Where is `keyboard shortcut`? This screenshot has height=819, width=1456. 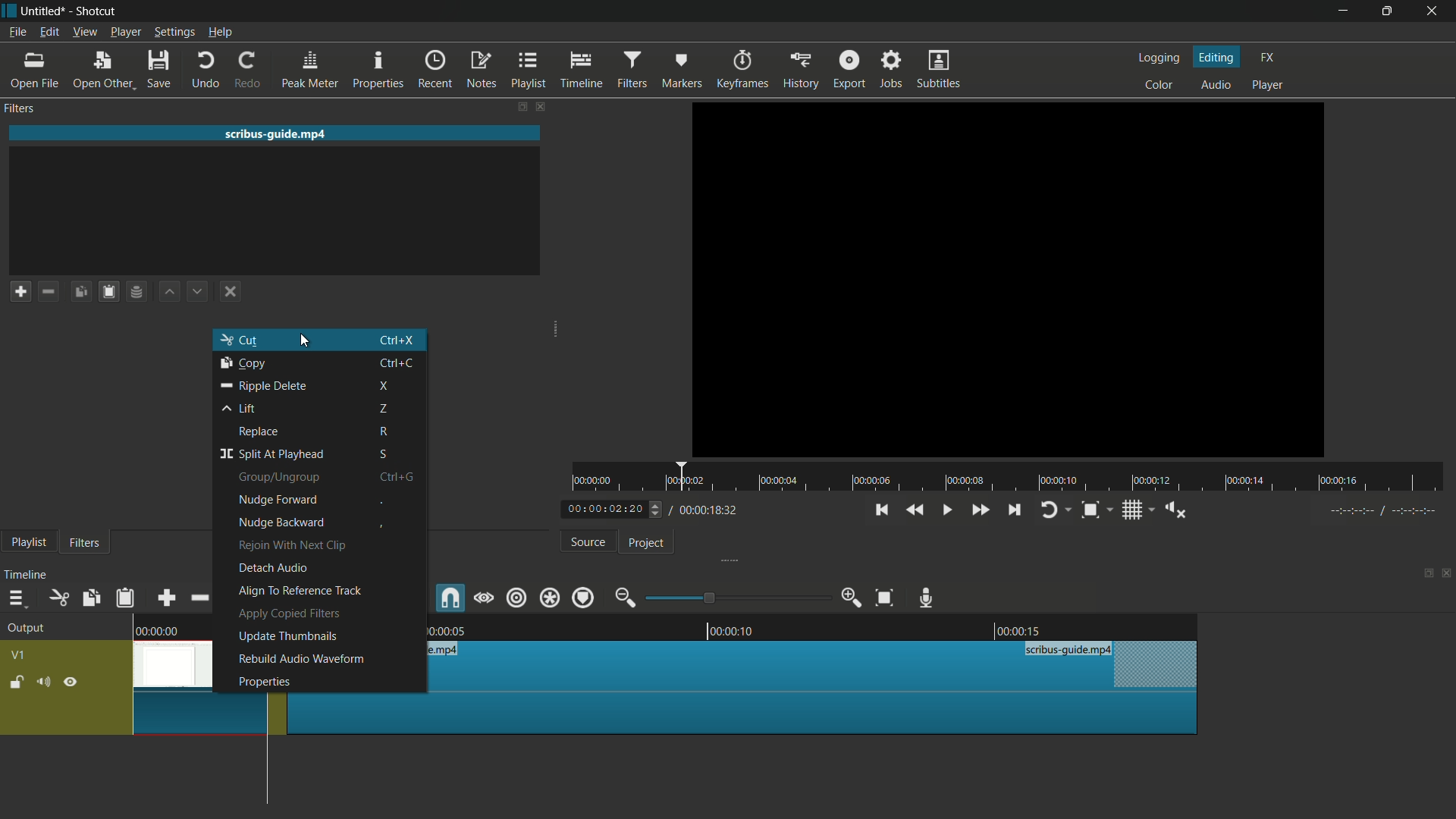
keyboard shortcut is located at coordinates (385, 385).